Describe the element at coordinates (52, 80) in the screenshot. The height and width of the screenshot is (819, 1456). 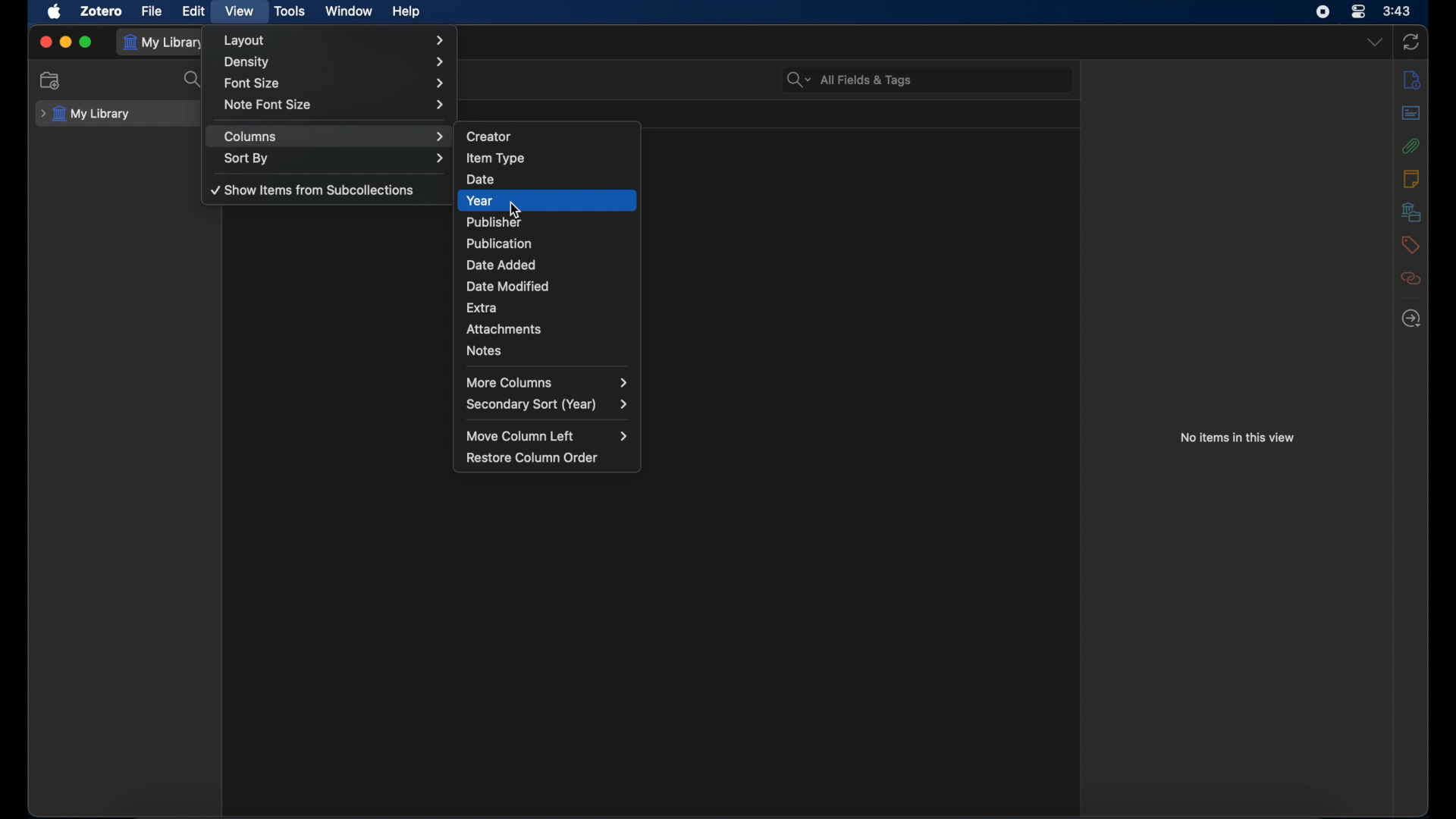
I see `new collection` at that location.